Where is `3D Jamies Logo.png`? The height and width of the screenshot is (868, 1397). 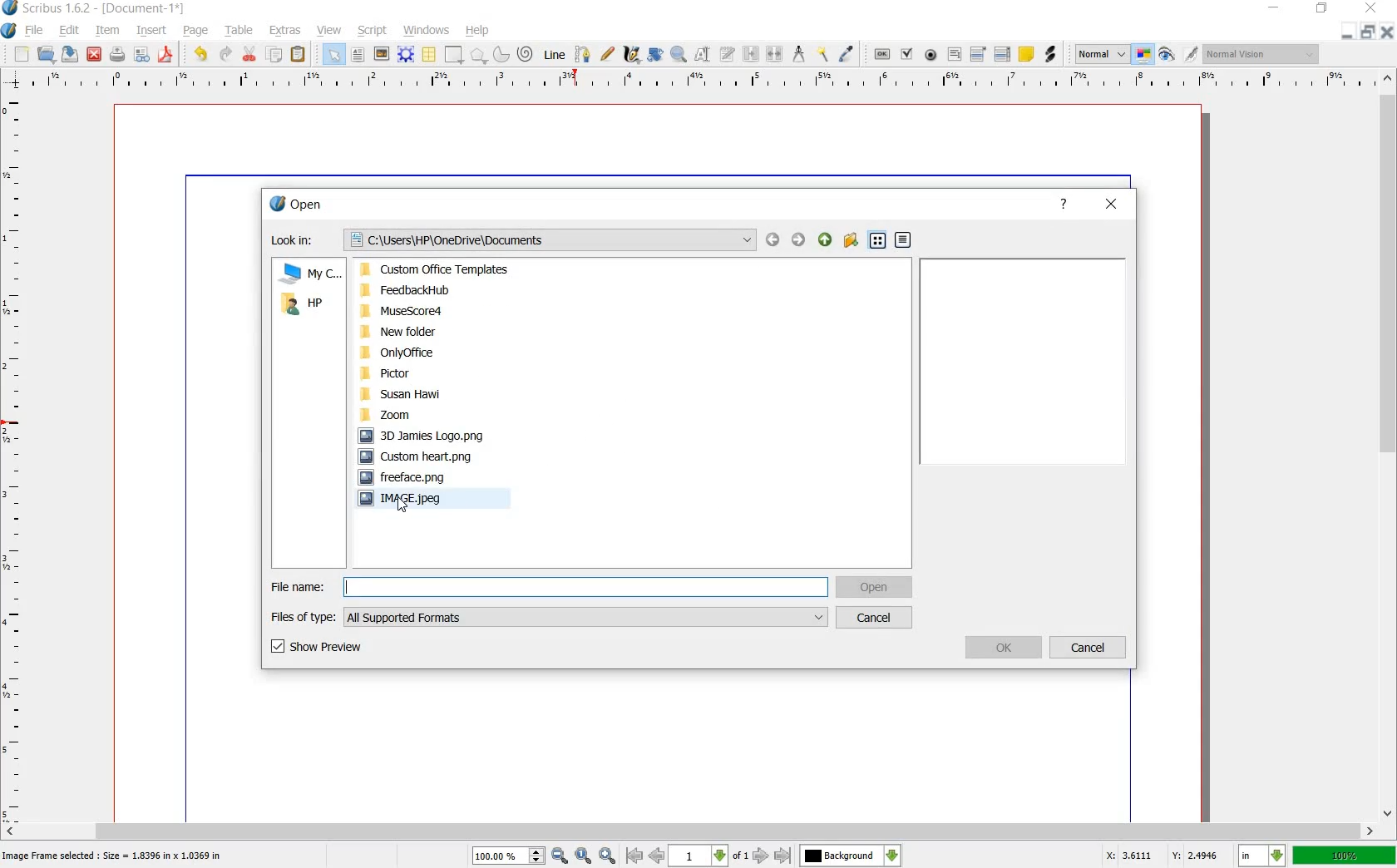
3D Jamies Logo.png is located at coordinates (421, 436).